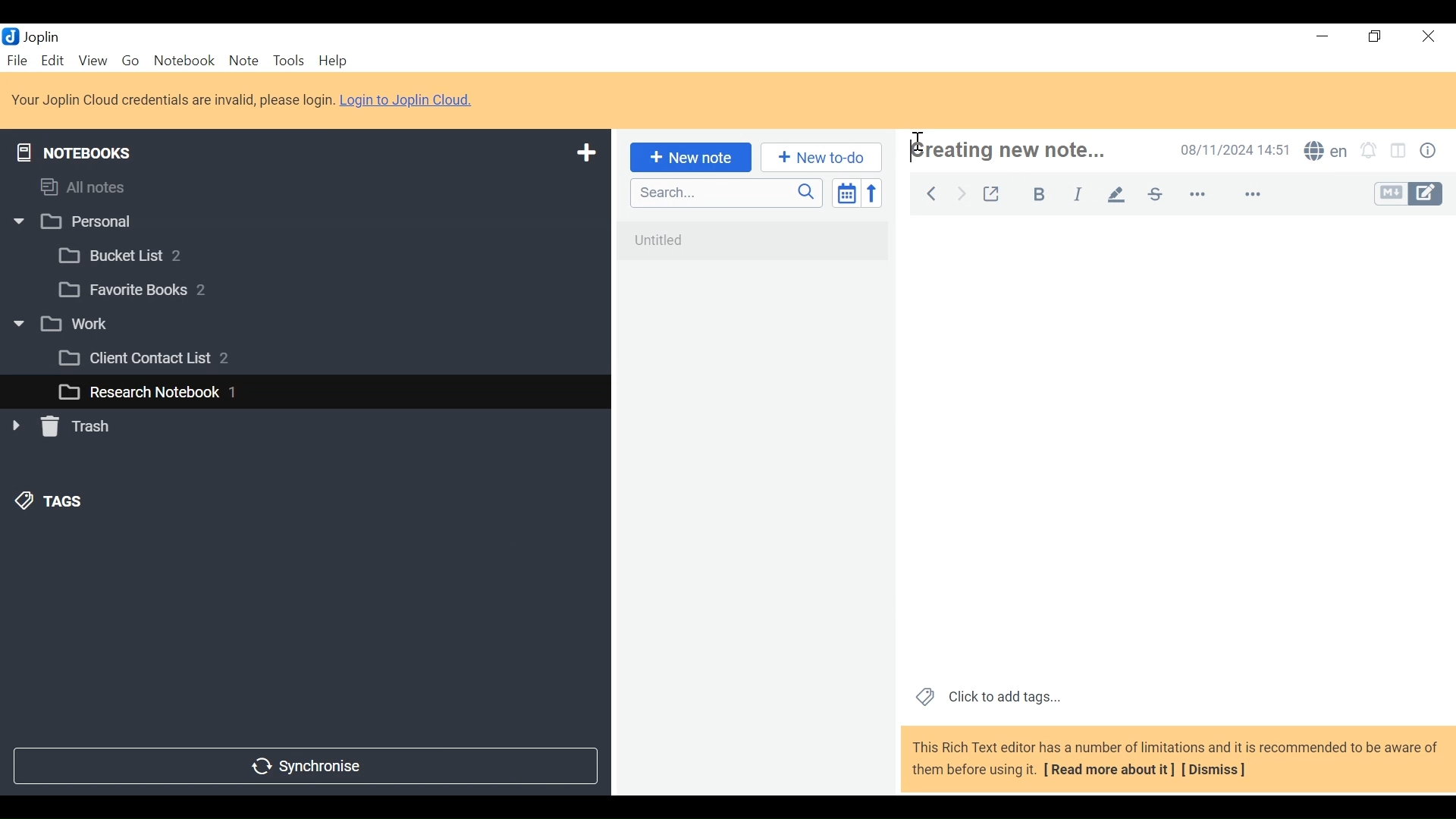 This screenshot has width=1456, height=819. I want to click on Bold, so click(1032, 192).